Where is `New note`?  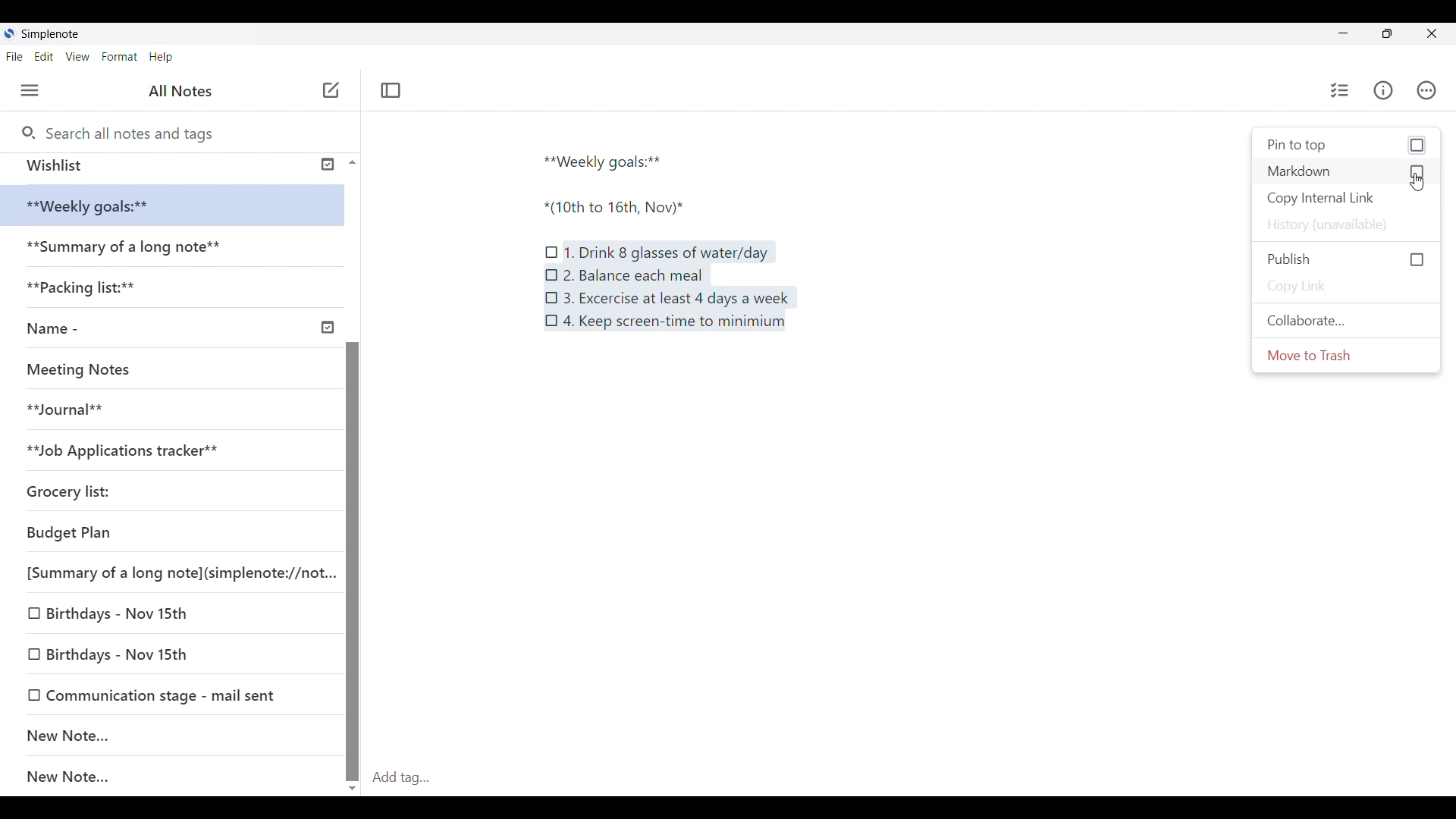
New note is located at coordinates (164, 735).